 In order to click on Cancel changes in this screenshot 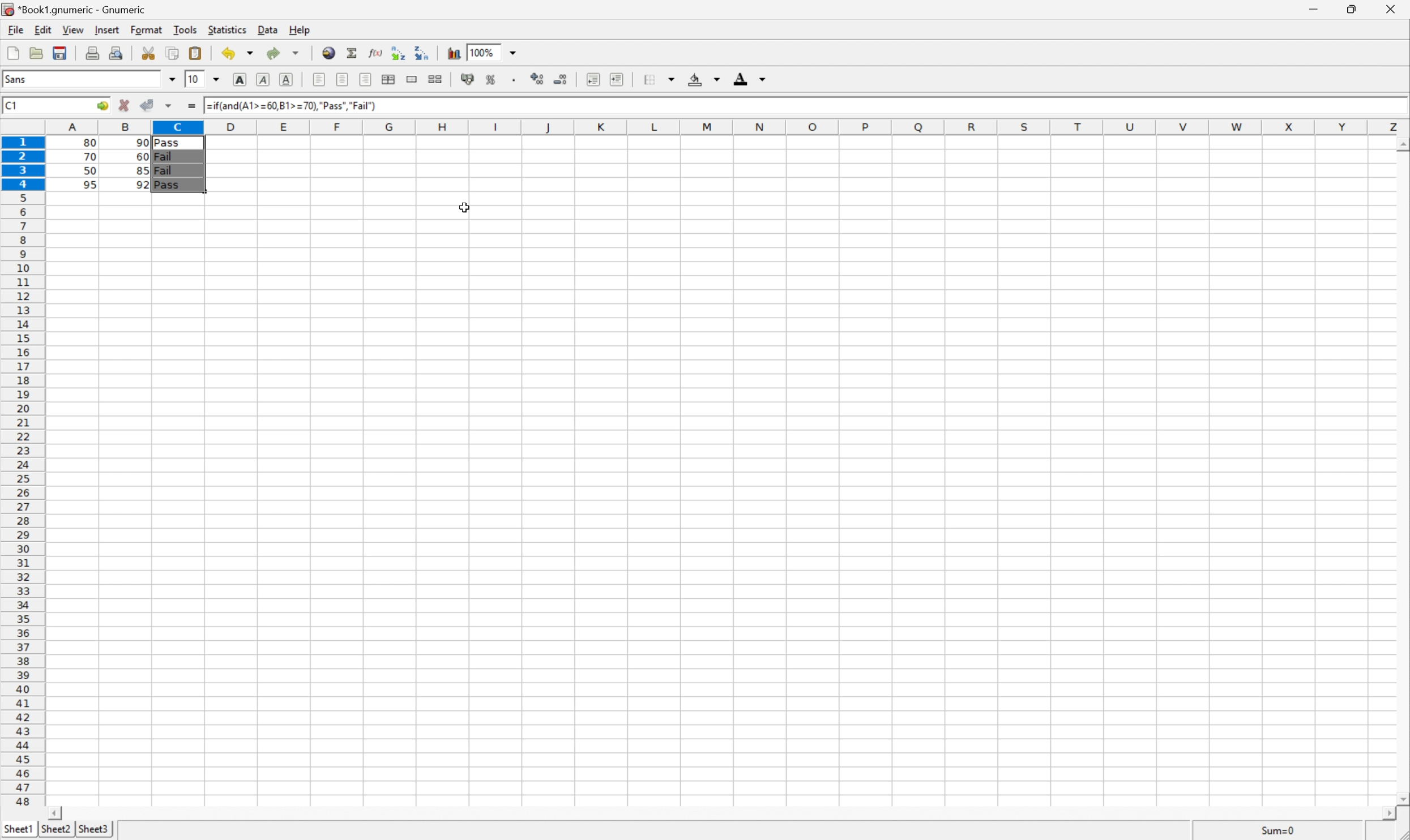, I will do `click(125, 106)`.